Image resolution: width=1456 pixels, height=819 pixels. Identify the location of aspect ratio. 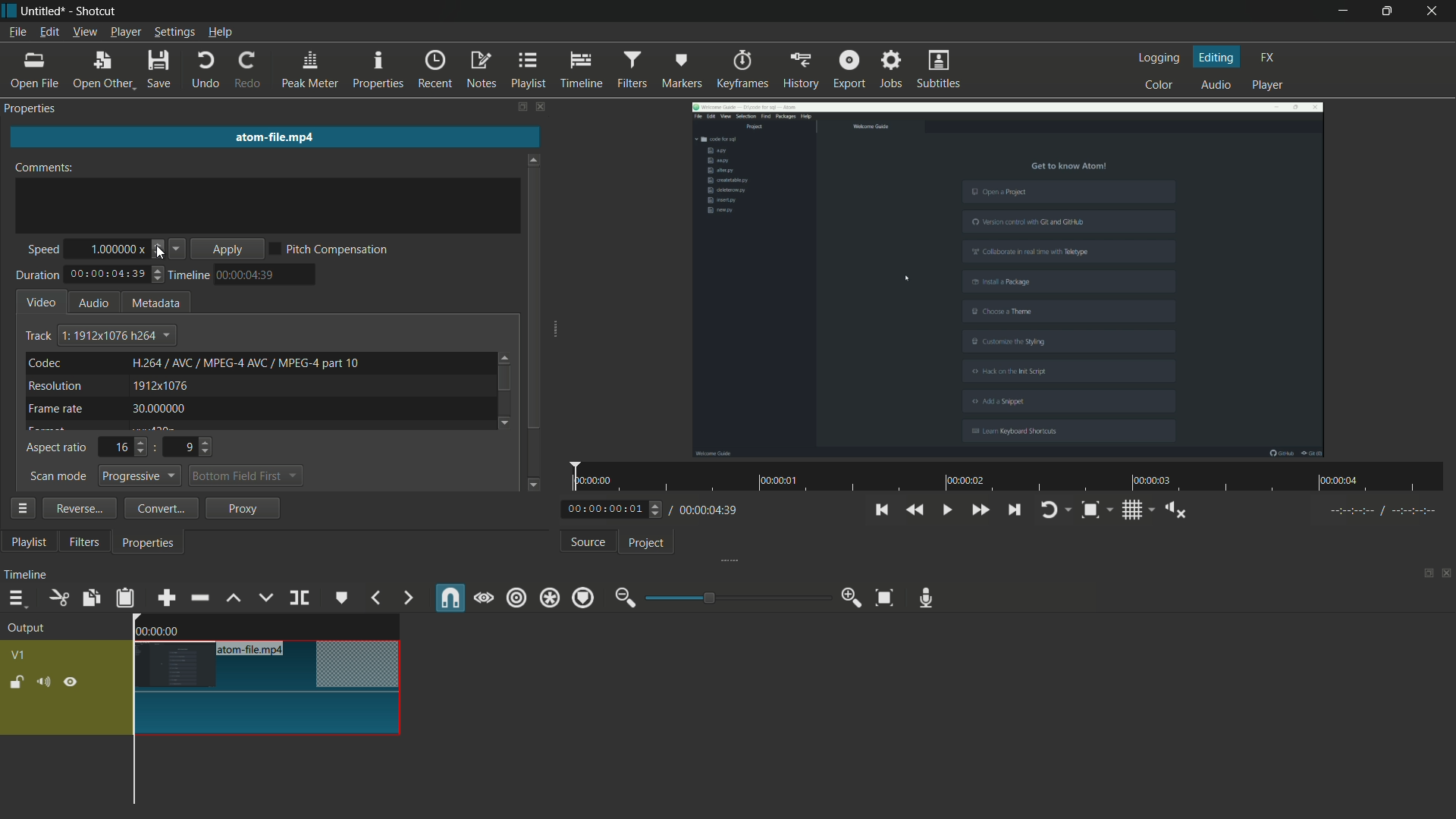
(58, 449).